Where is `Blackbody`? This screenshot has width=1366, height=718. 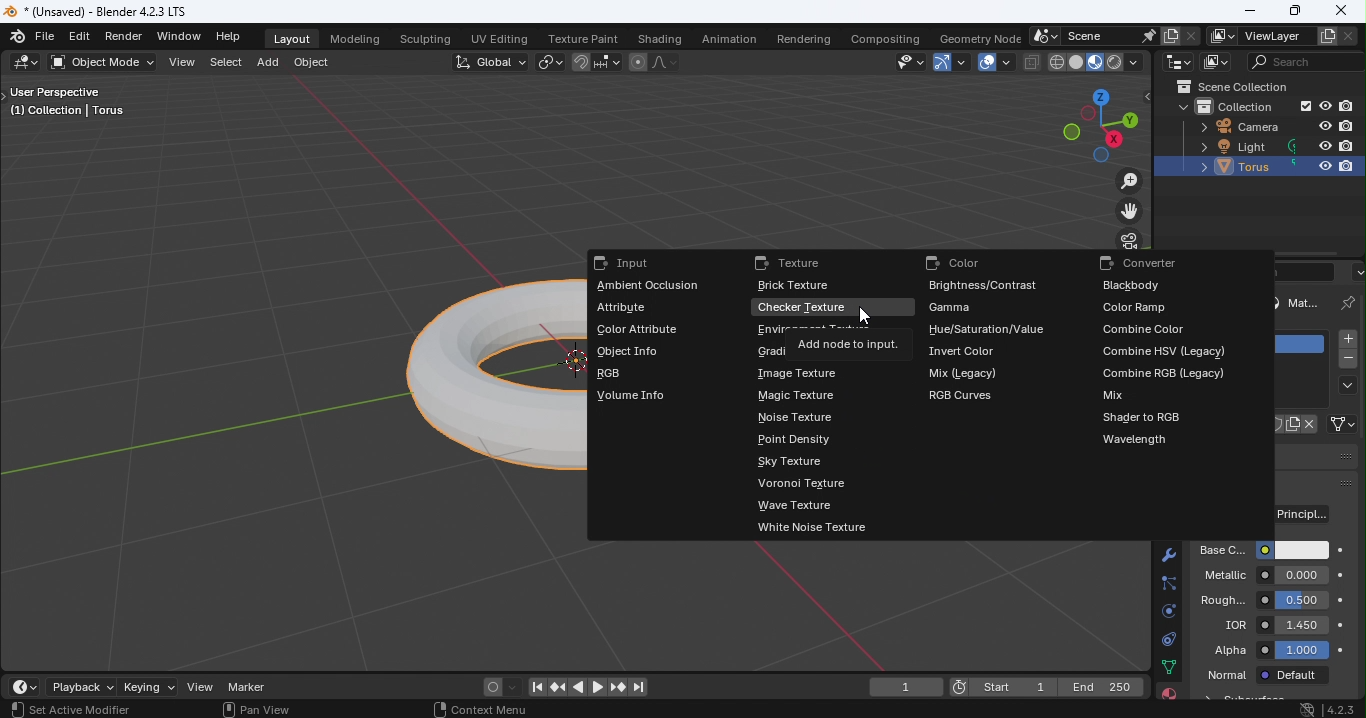 Blackbody is located at coordinates (1127, 286).